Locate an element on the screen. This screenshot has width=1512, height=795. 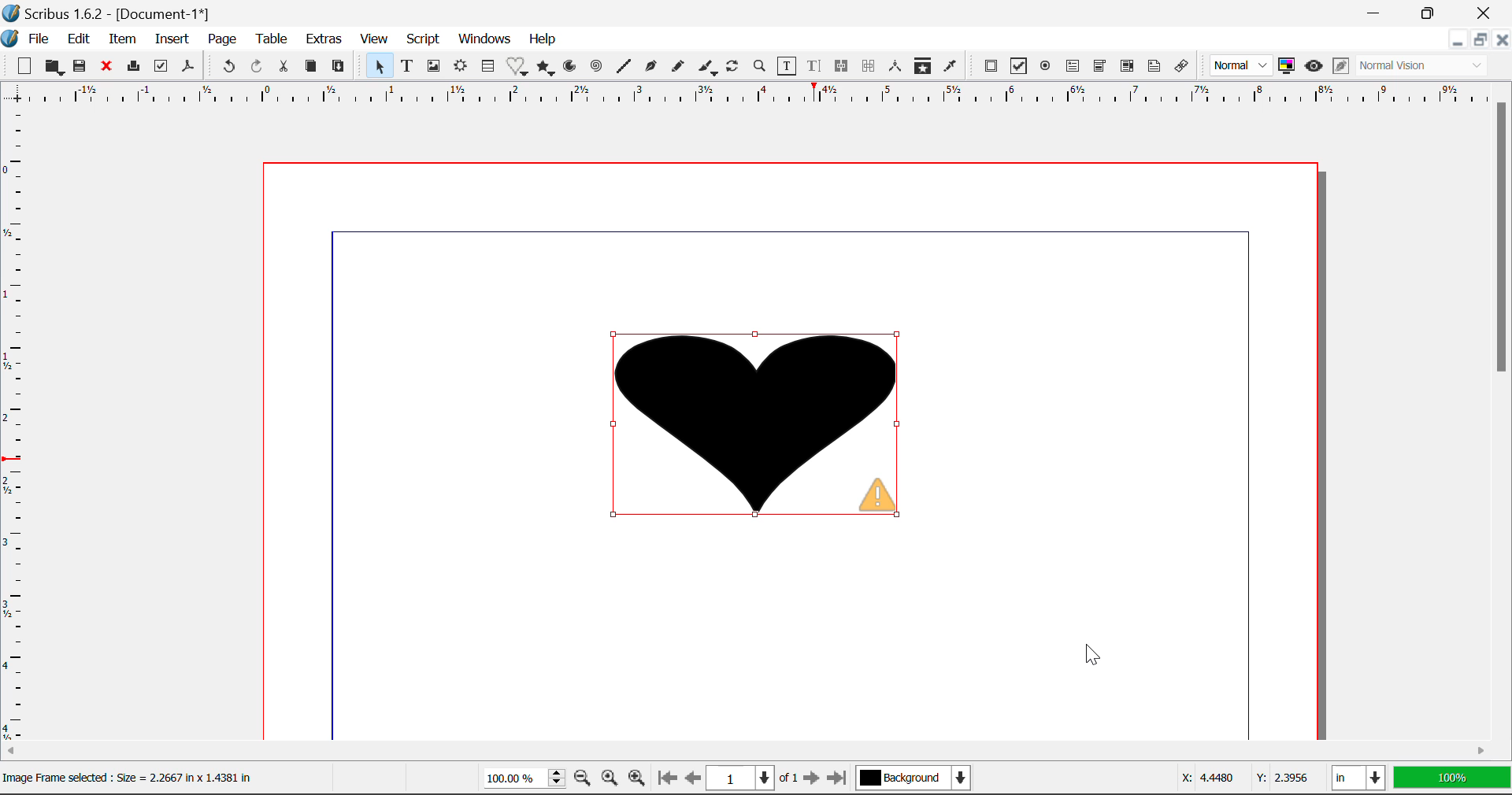
1 of 1 is located at coordinates (753, 778).